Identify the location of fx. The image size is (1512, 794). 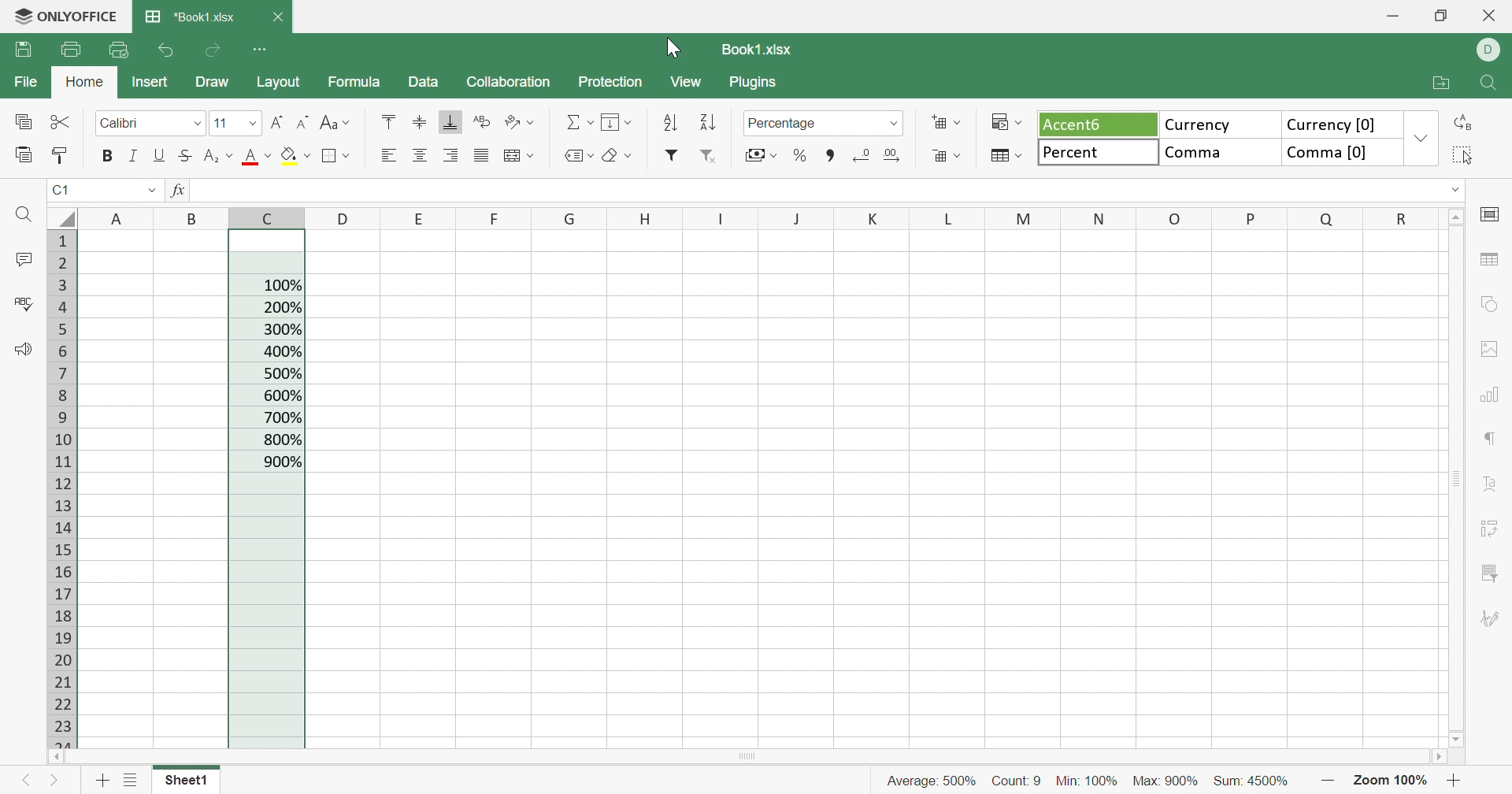
(179, 191).